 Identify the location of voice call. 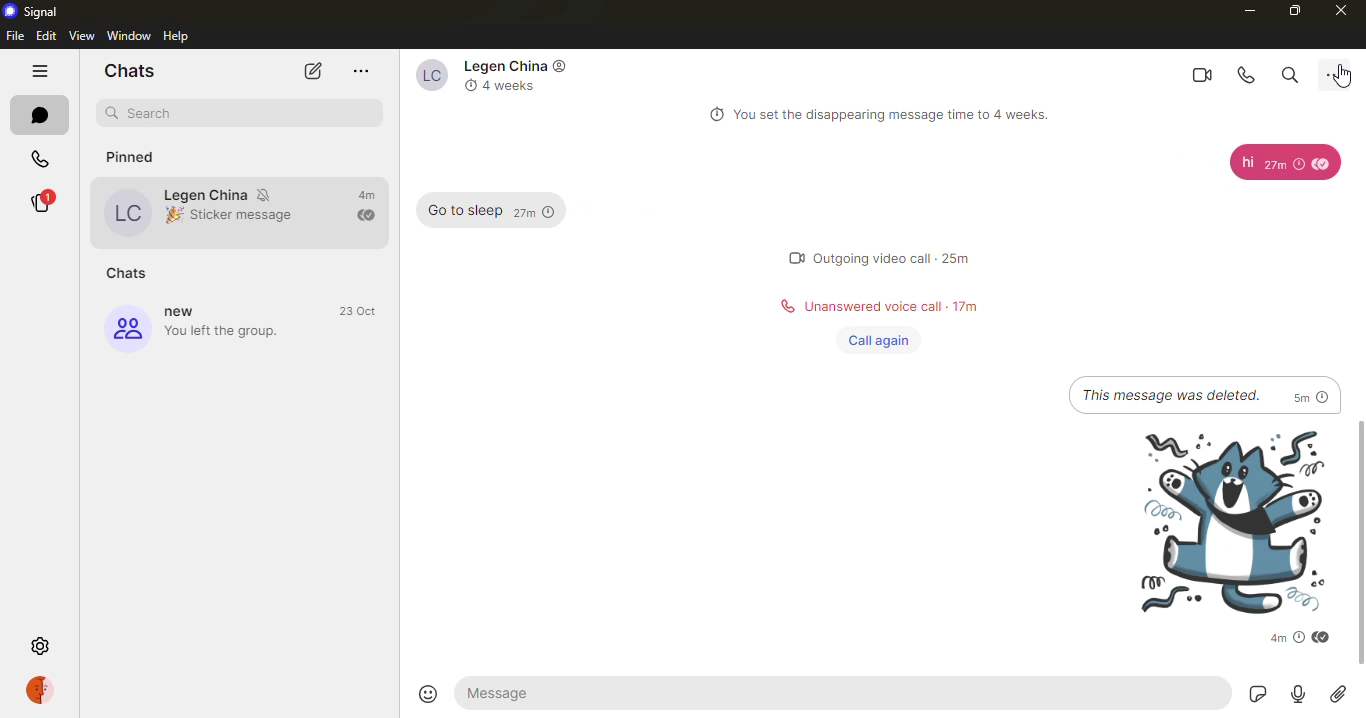
(1242, 74).